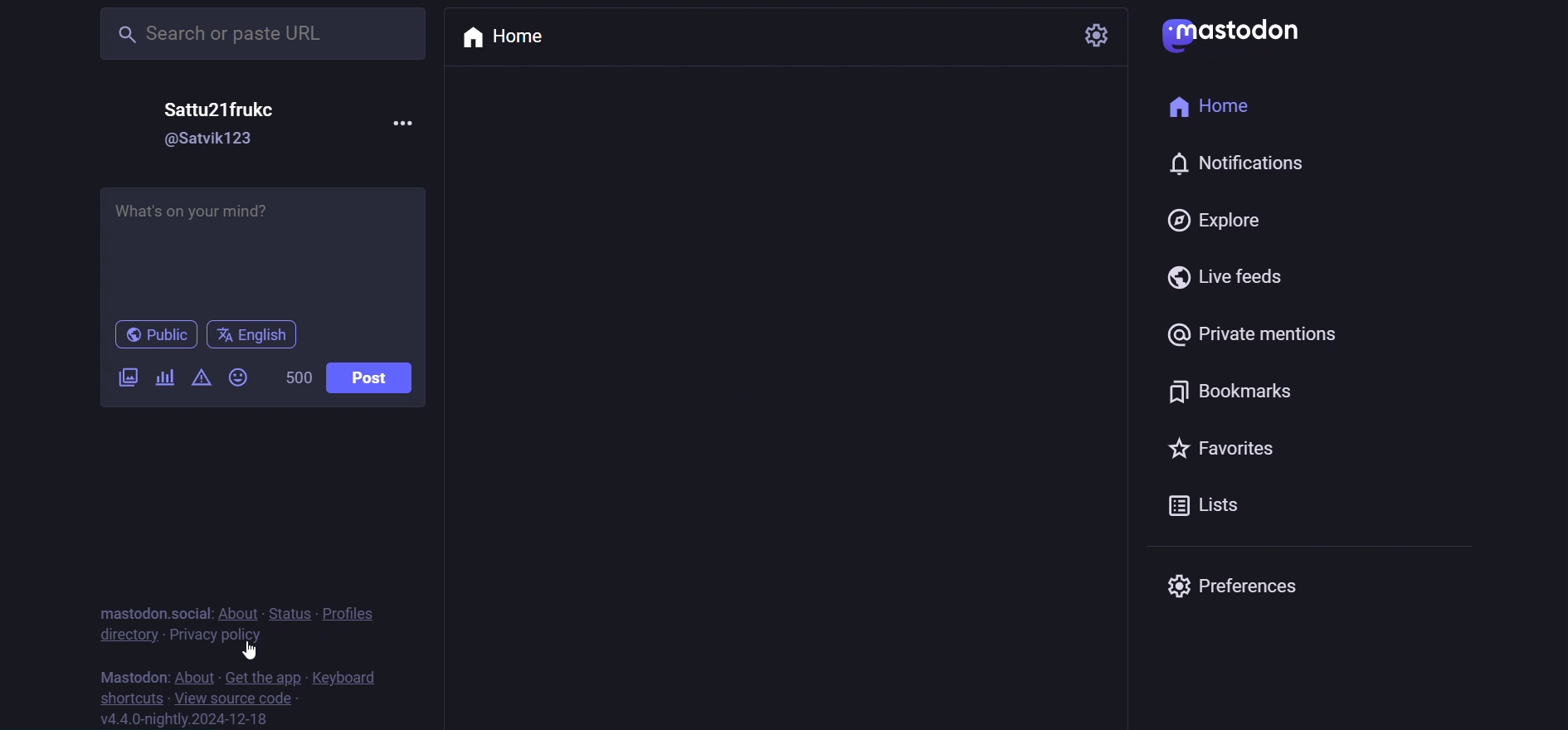 The width and height of the screenshot is (1568, 730). What do you see at coordinates (241, 611) in the screenshot?
I see `about` at bounding box center [241, 611].